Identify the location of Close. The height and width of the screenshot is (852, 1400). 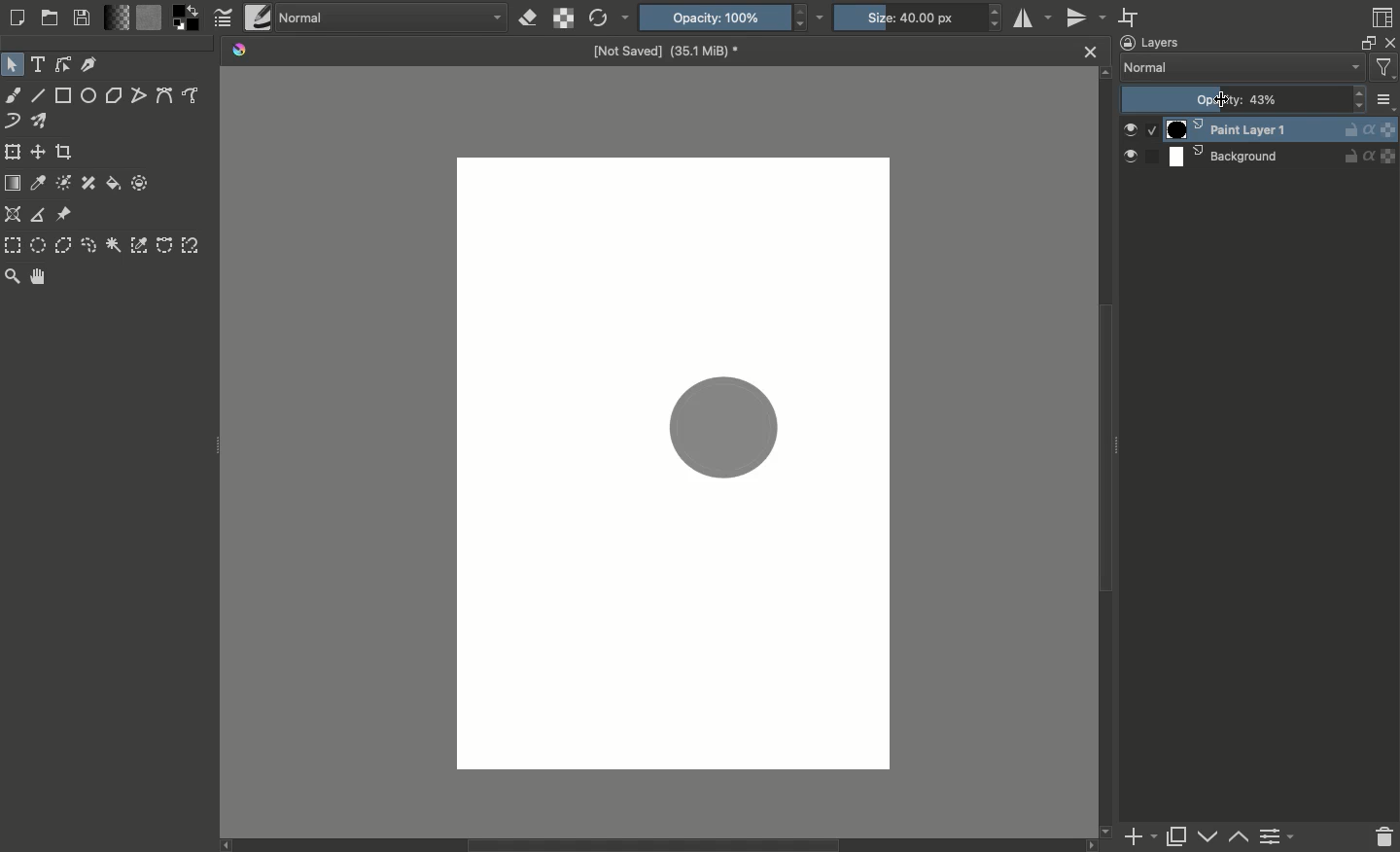
(1086, 50).